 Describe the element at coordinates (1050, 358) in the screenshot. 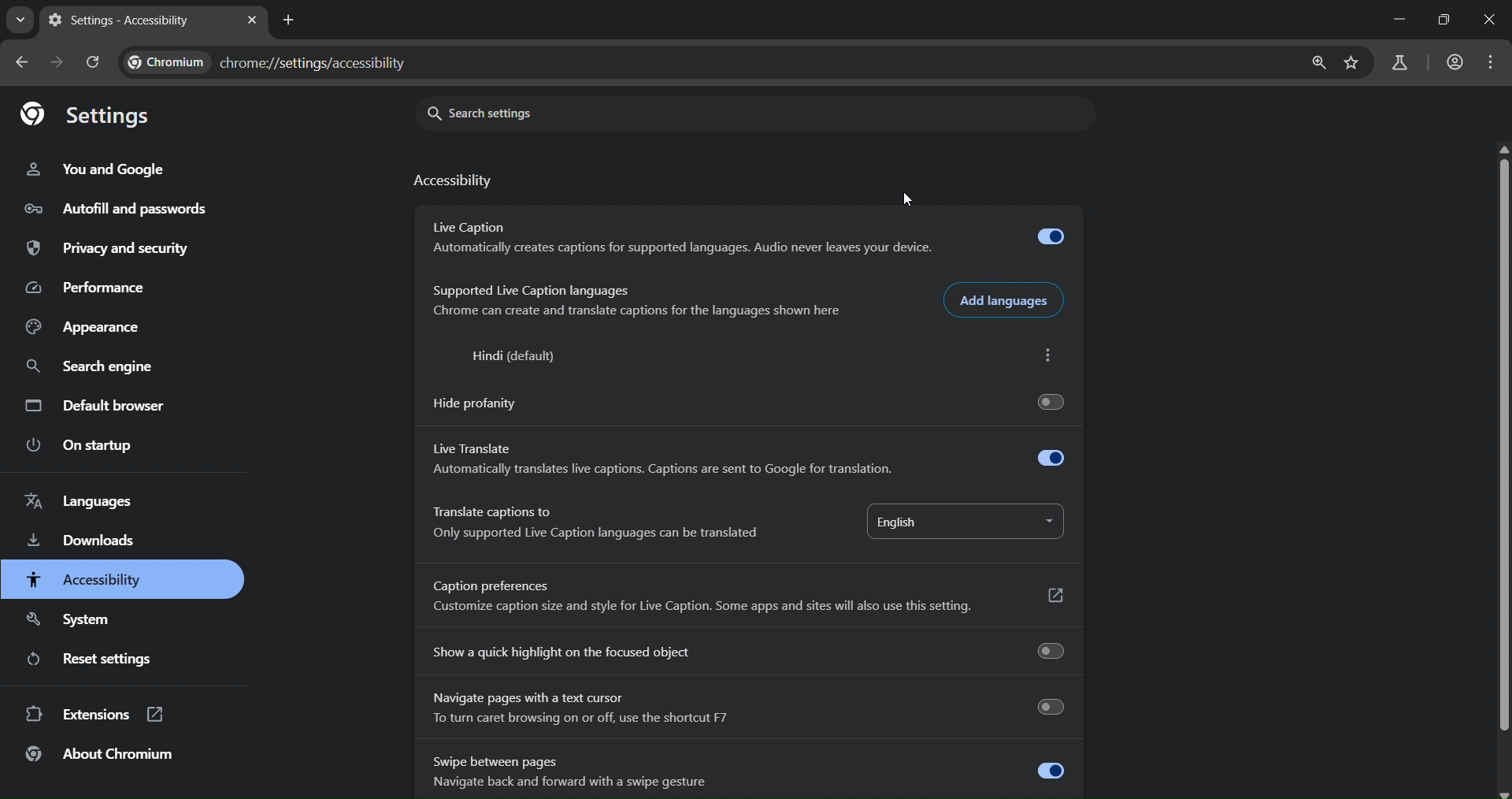

I see `more actions` at that location.